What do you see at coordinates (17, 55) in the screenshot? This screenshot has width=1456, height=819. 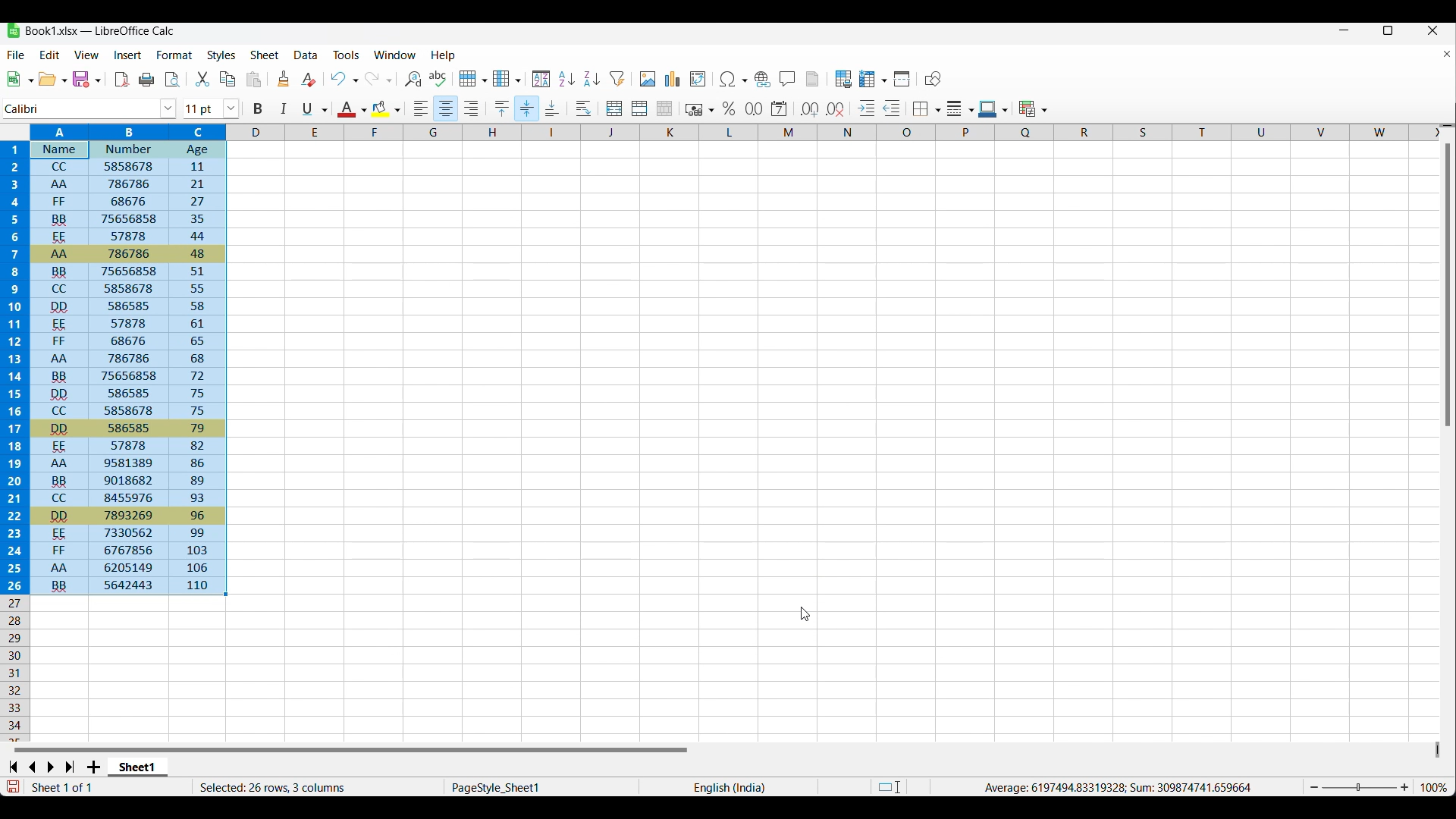 I see `File menu` at bounding box center [17, 55].